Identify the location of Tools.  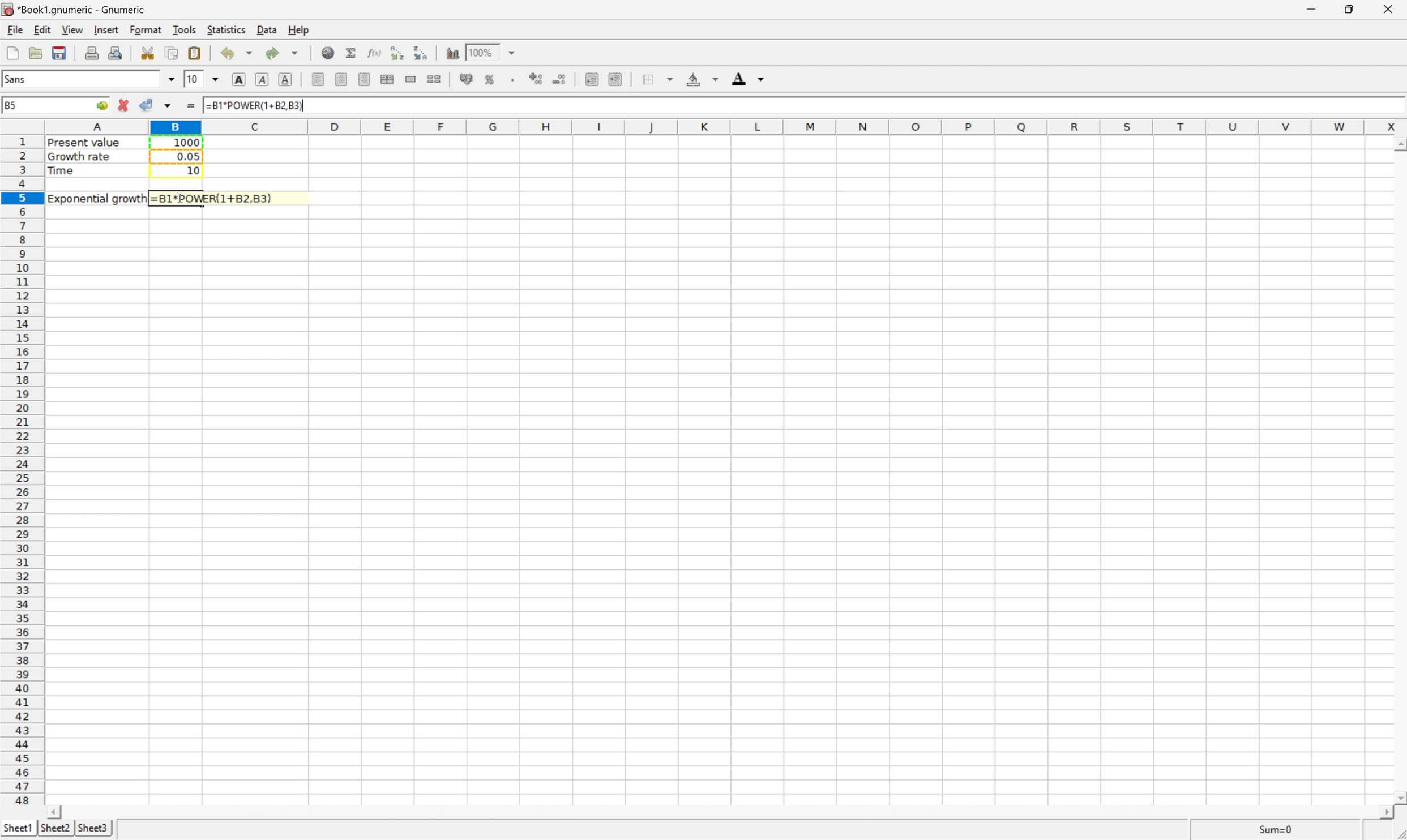
(185, 30).